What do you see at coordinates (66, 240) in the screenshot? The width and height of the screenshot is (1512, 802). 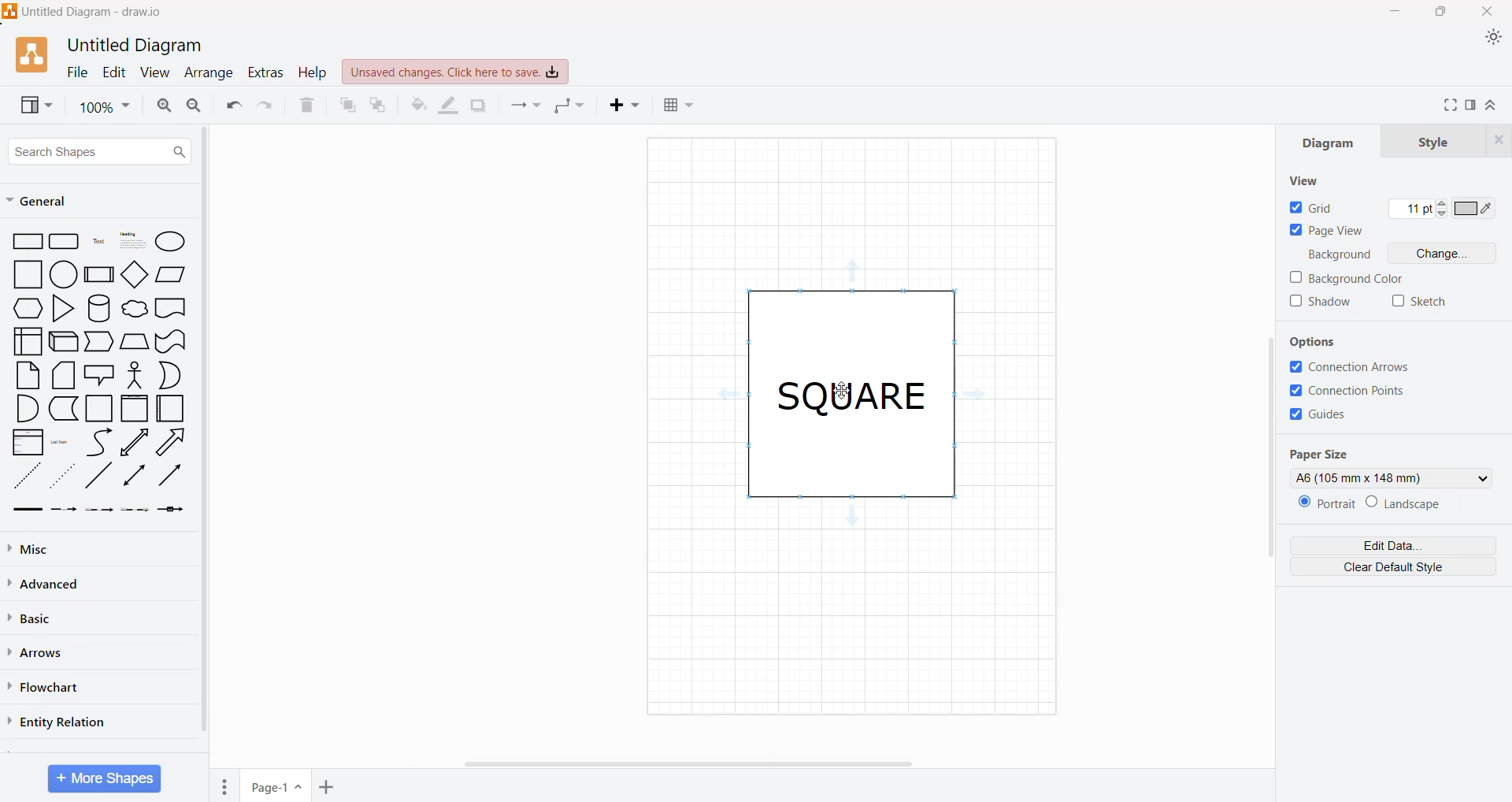 I see `Rectangle grid` at bounding box center [66, 240].